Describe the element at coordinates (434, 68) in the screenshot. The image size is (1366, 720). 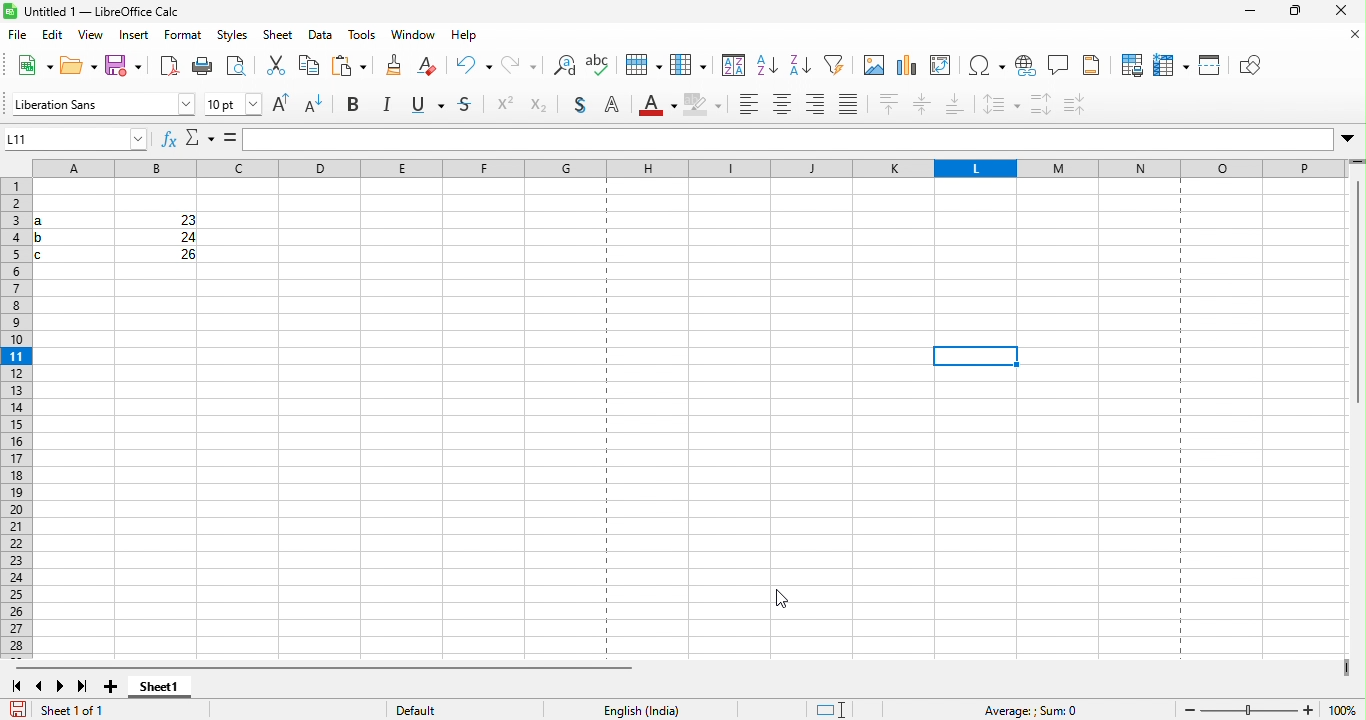
I see `undo` at that location.